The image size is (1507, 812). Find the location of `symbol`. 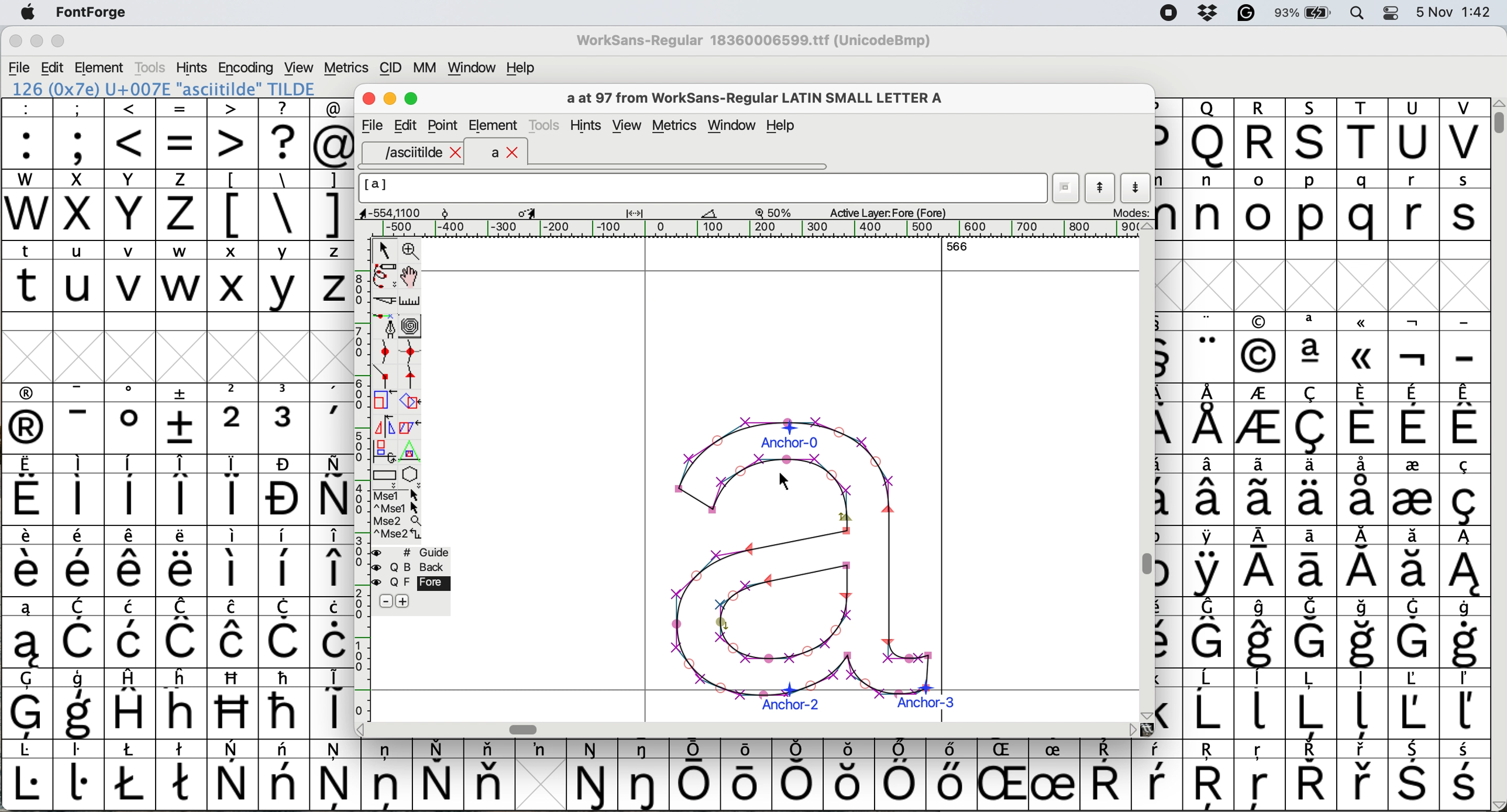

symbol is located at coordinates (1364, 488).